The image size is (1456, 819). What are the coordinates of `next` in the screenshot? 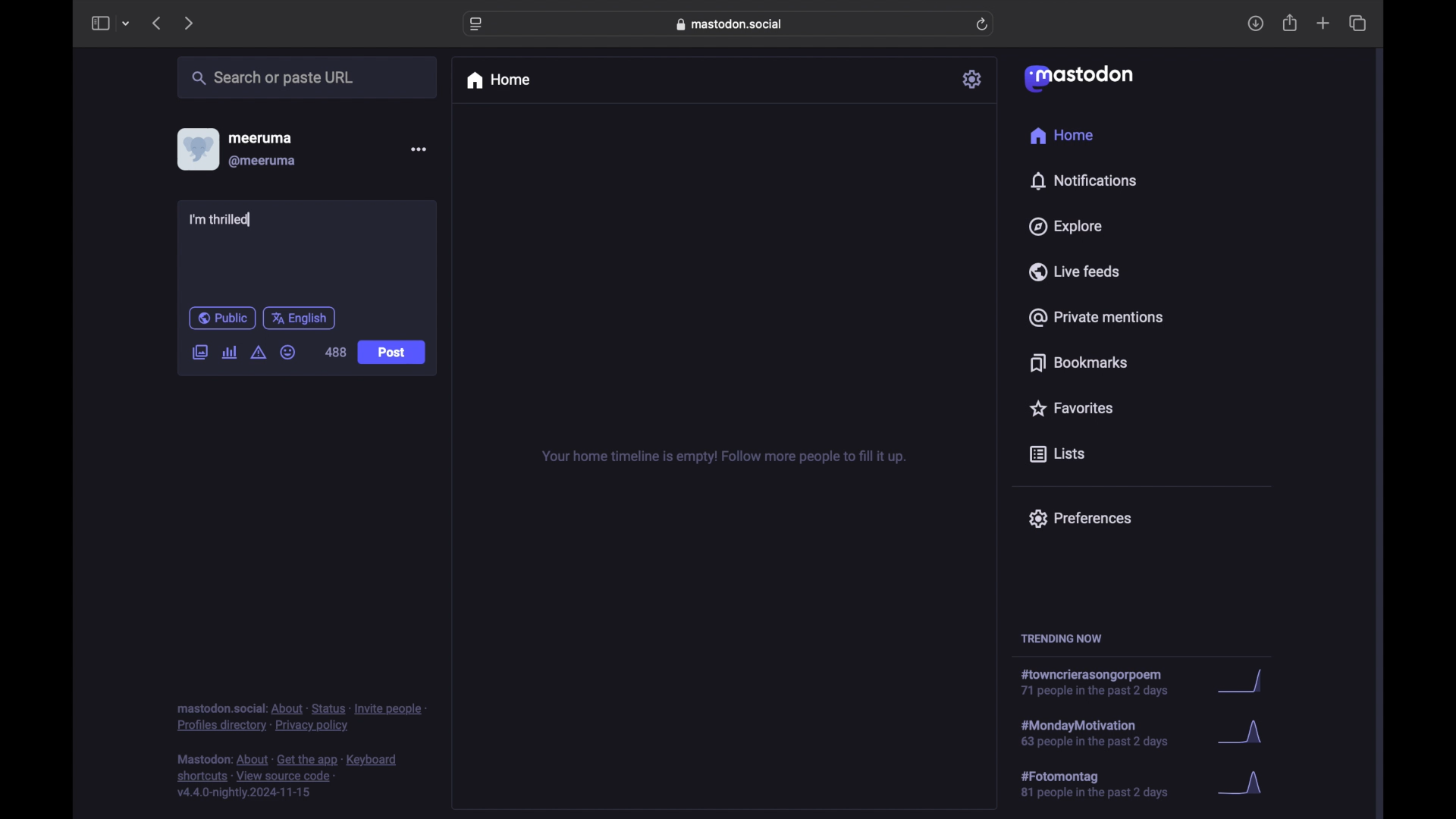 It's located at (188, 24).